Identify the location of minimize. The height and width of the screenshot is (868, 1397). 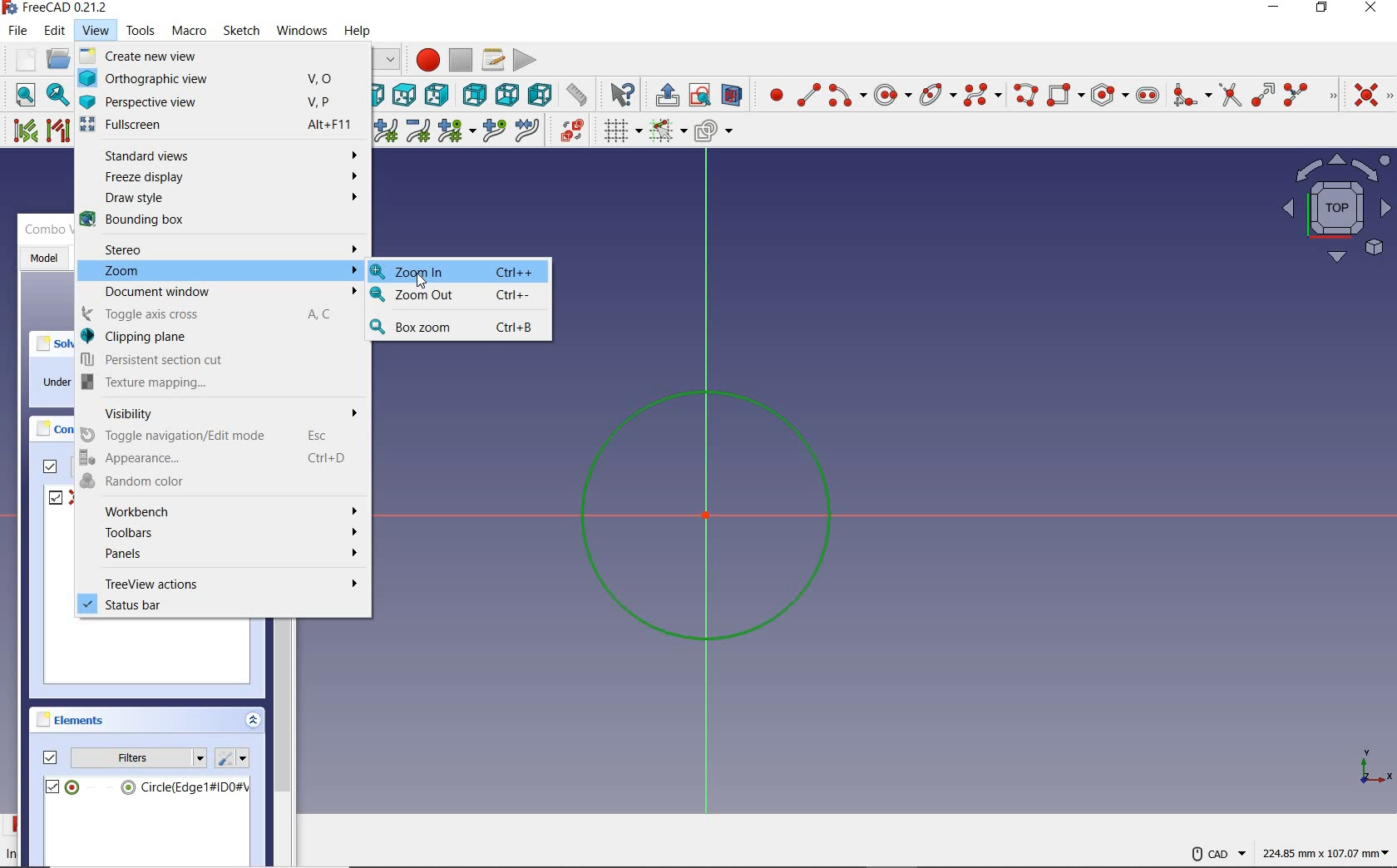
(1275, 9).